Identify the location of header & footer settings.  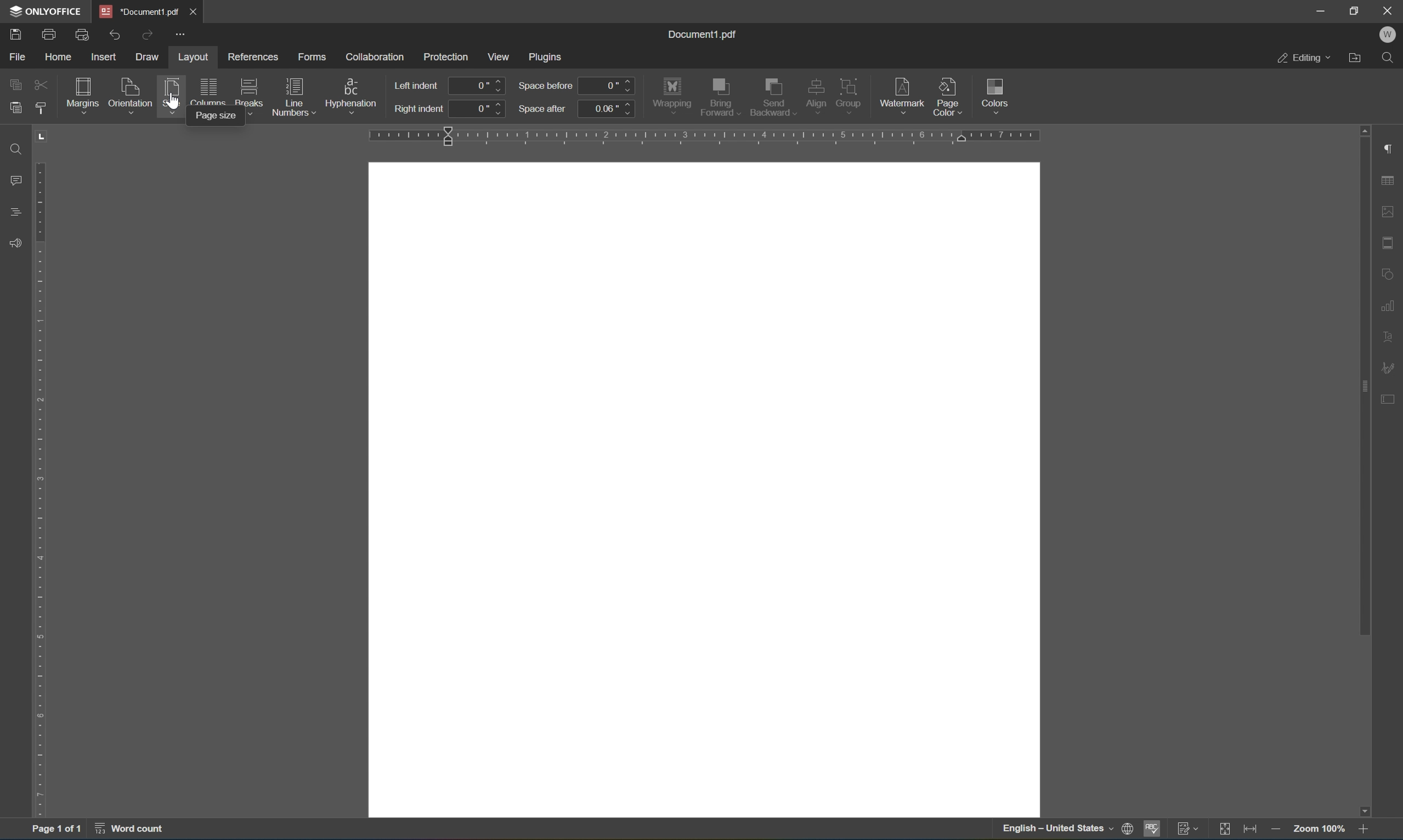
(1389, 243).